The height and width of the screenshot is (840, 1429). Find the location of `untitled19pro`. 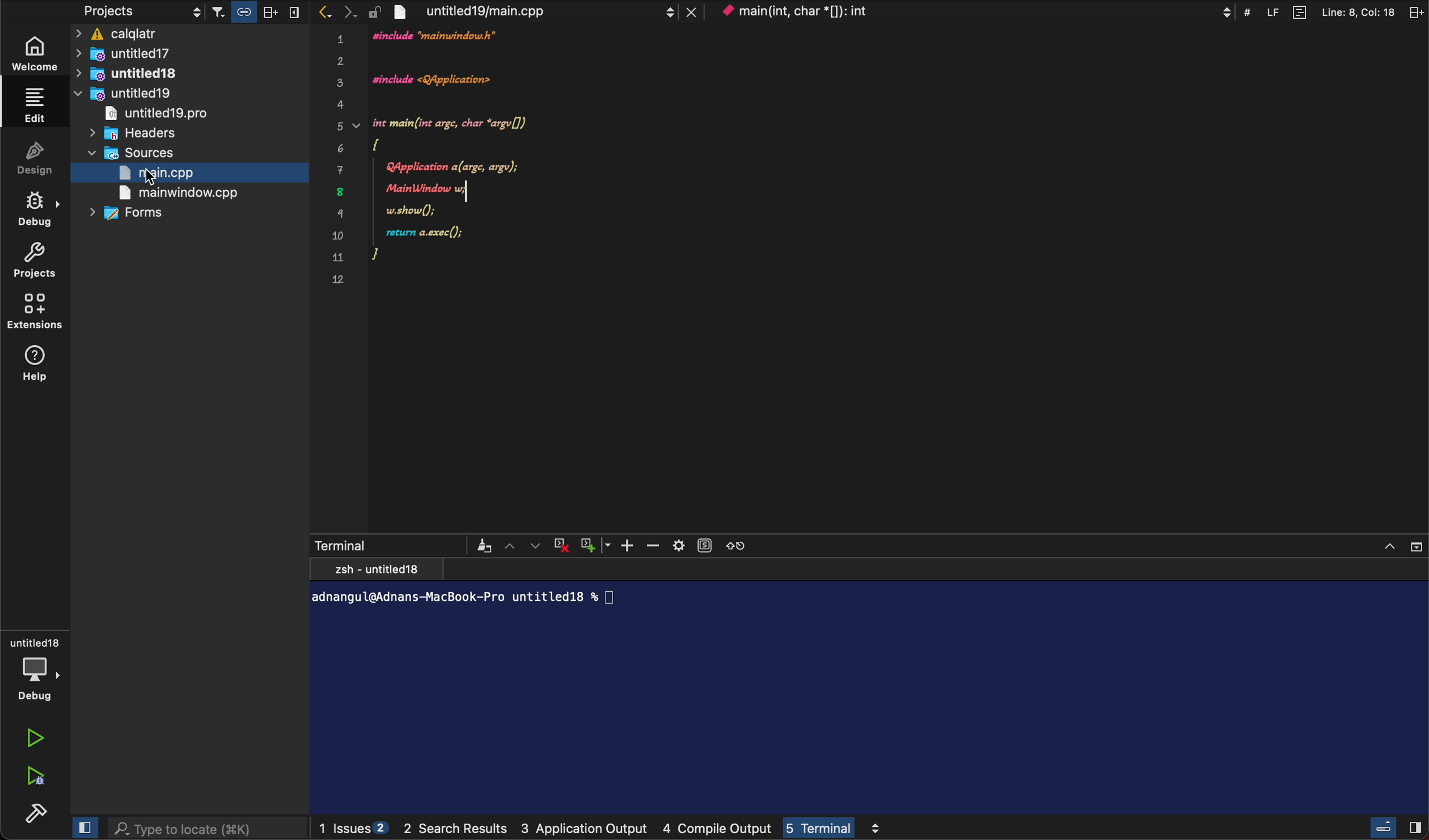

untitled19pro is located at coordinates (155, 113).